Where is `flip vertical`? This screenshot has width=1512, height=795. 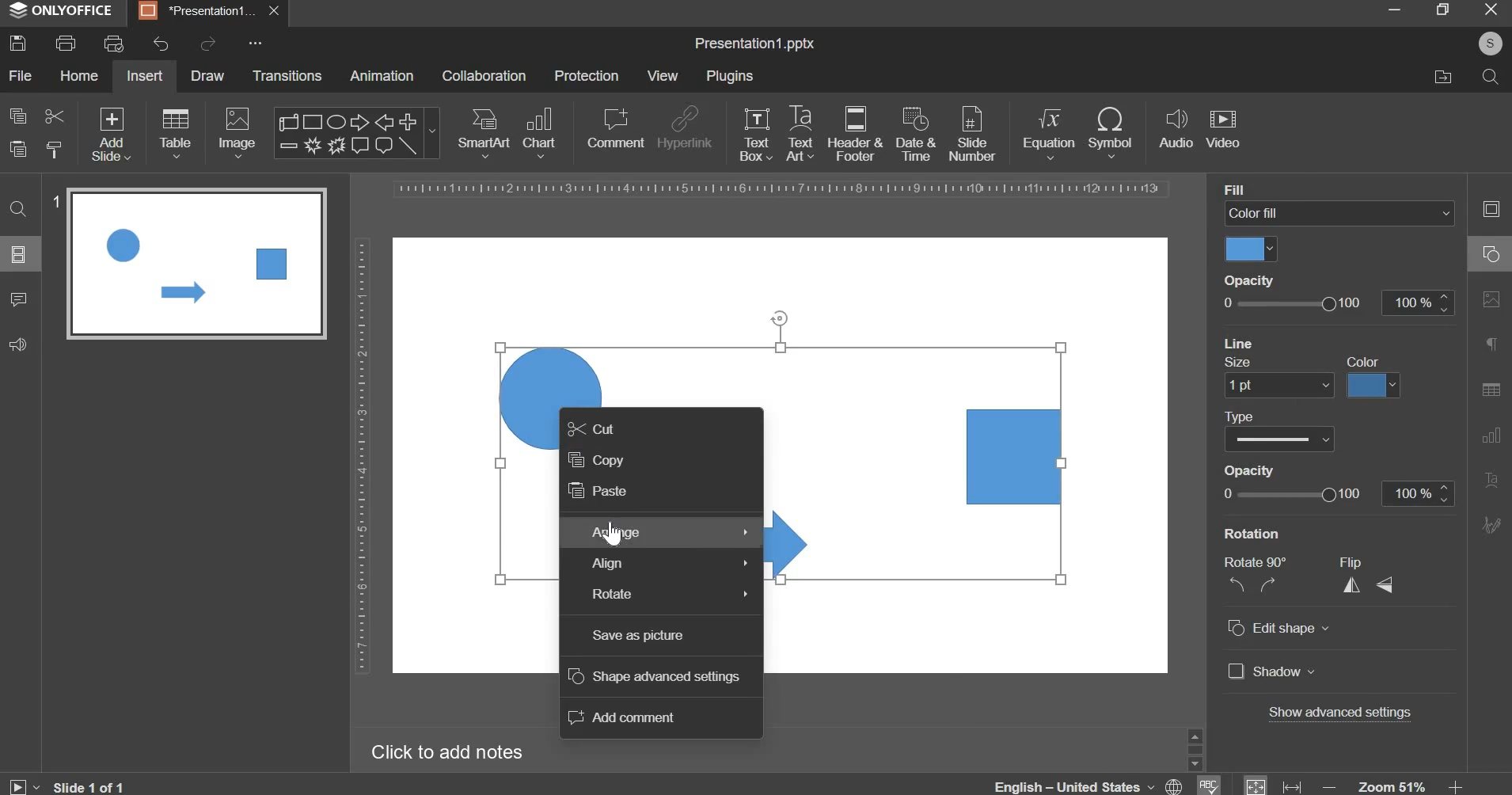
flip vertical is located at coordinates (1387, 584).